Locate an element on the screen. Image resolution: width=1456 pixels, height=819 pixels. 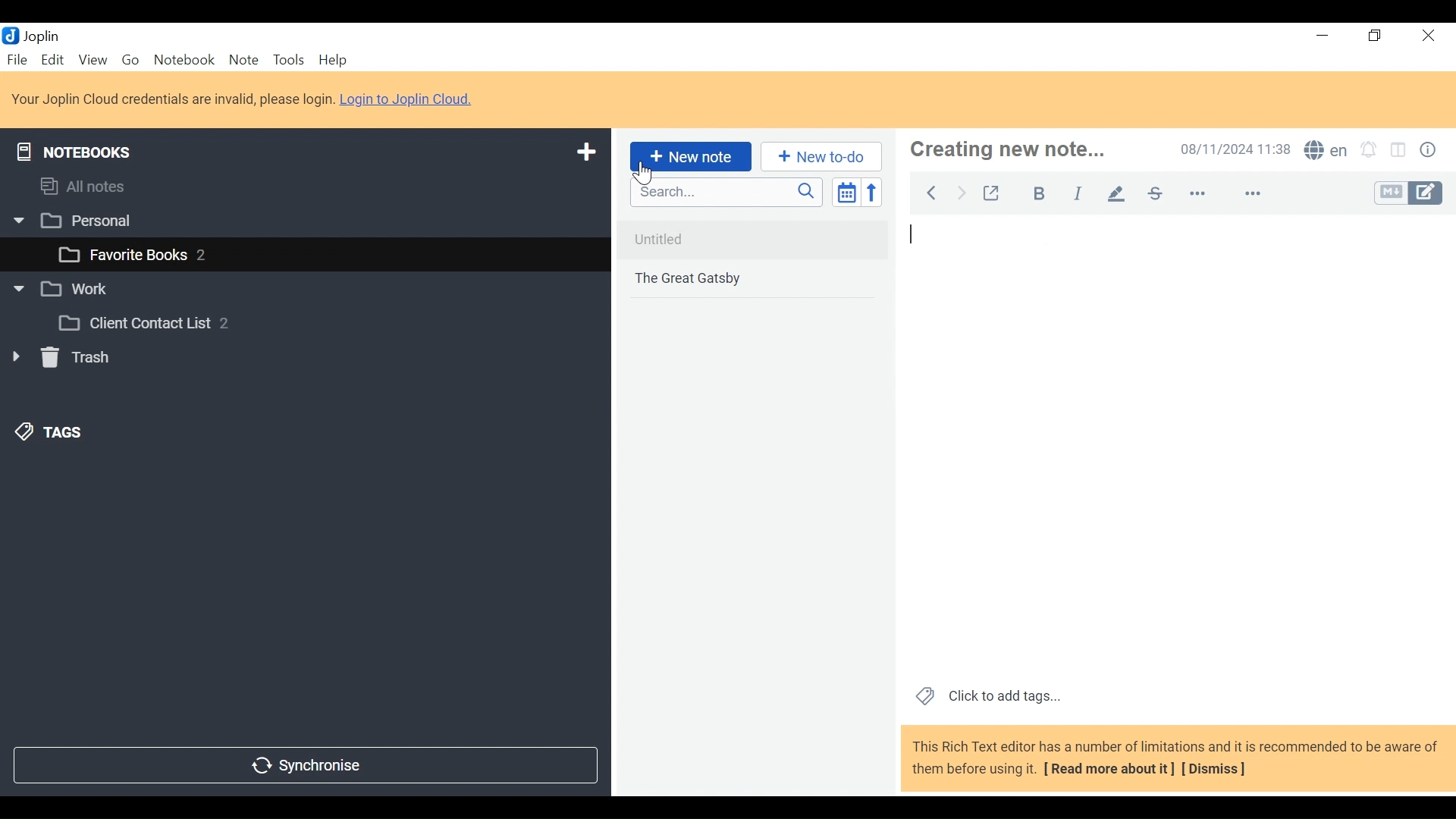
Bold is located at coordinates (1043, 193).